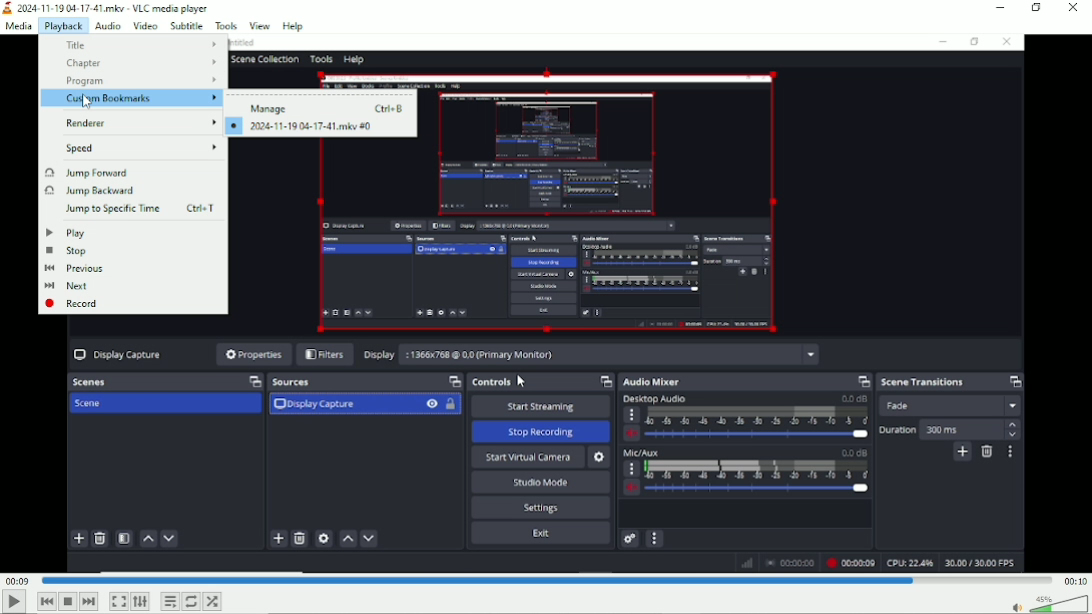 Image resolution: width=1092 pixels, height=614 pixels. What do you see at coordinates (141, 602) in the screenshot?
I see `show extended settings` at bounding box center [141, 602].